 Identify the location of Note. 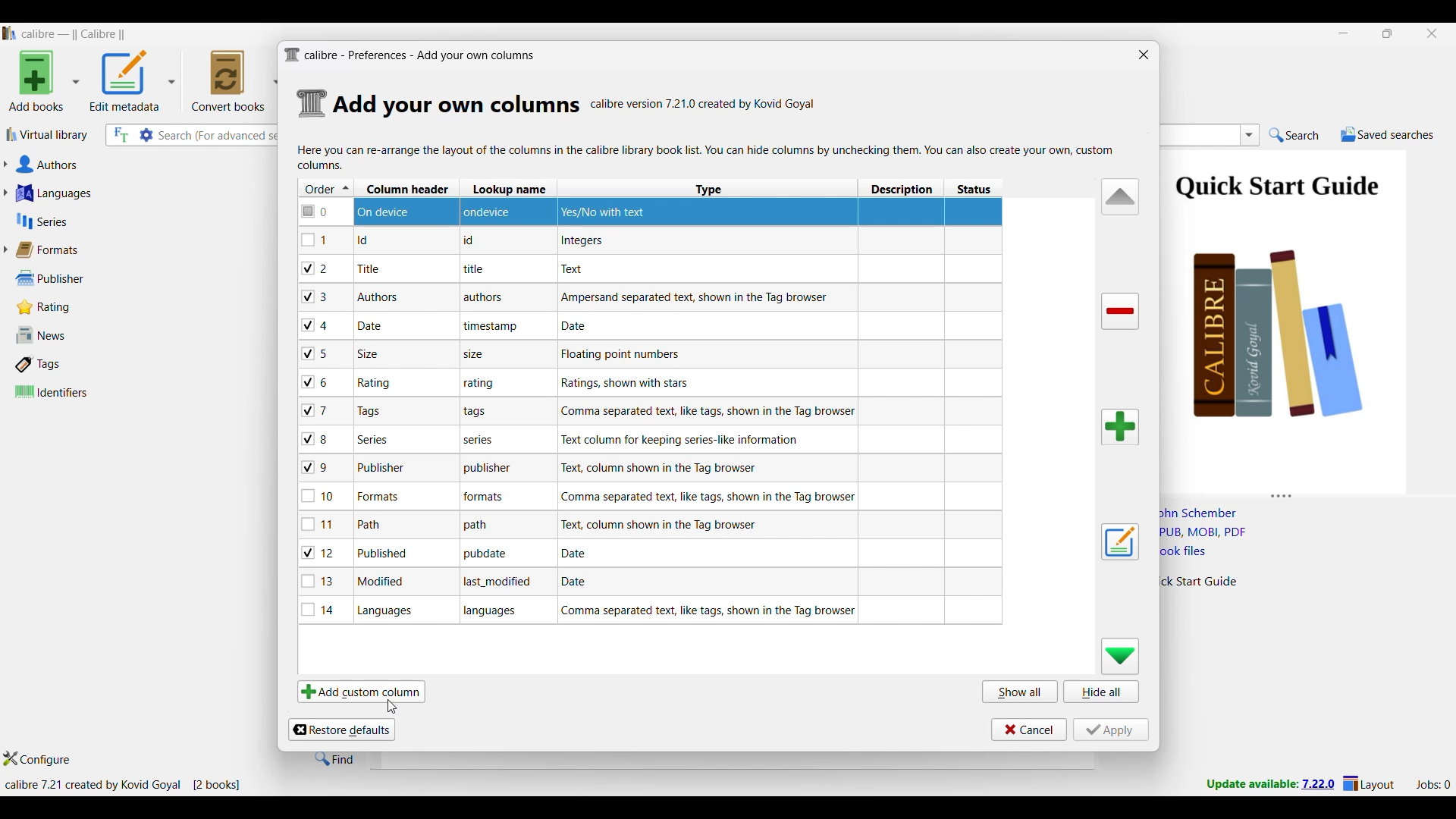
(373, 439).